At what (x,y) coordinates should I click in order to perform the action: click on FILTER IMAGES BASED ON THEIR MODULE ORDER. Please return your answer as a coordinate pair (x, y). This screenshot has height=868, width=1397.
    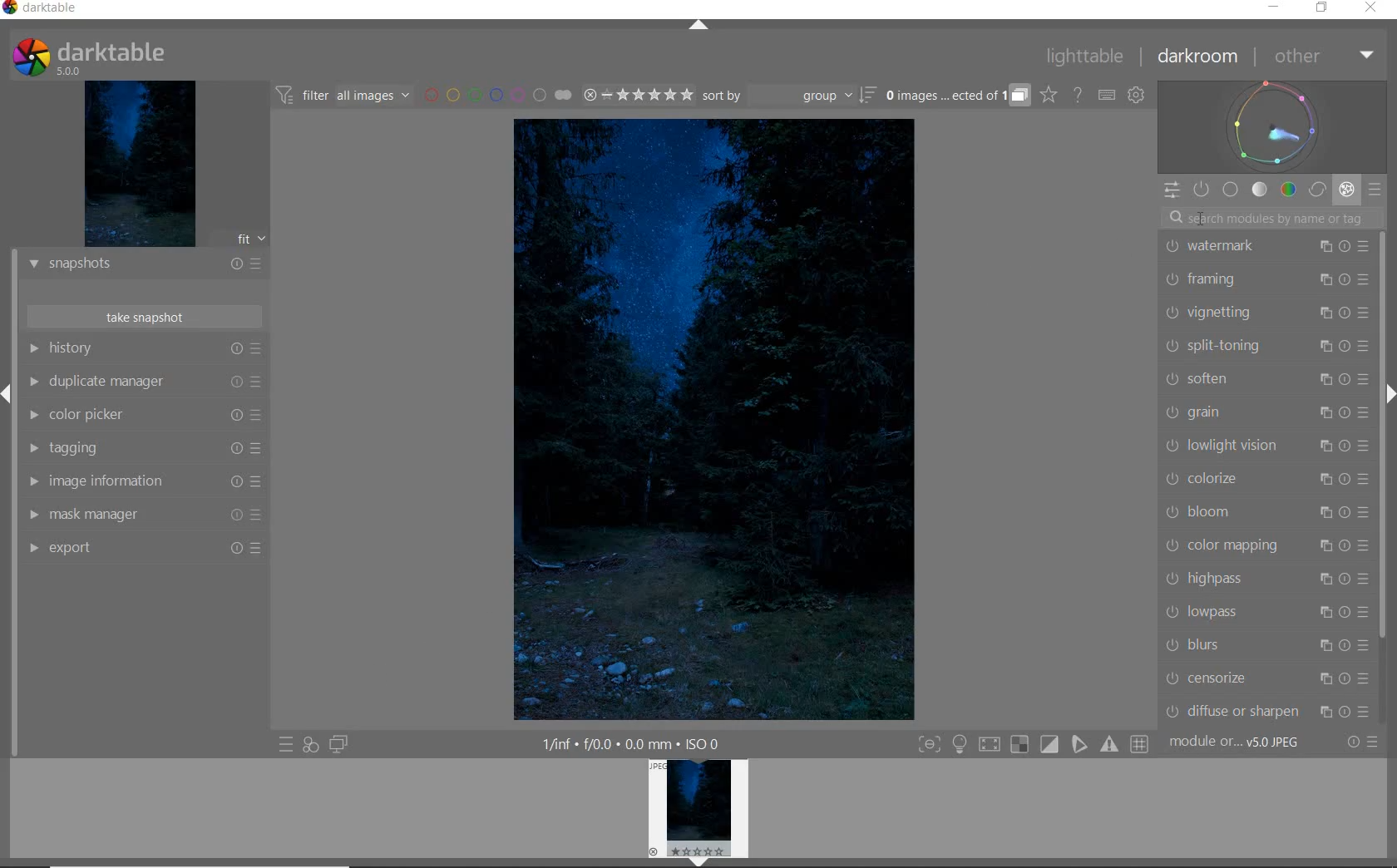
    Looking at the image, I should click on (345, 96).